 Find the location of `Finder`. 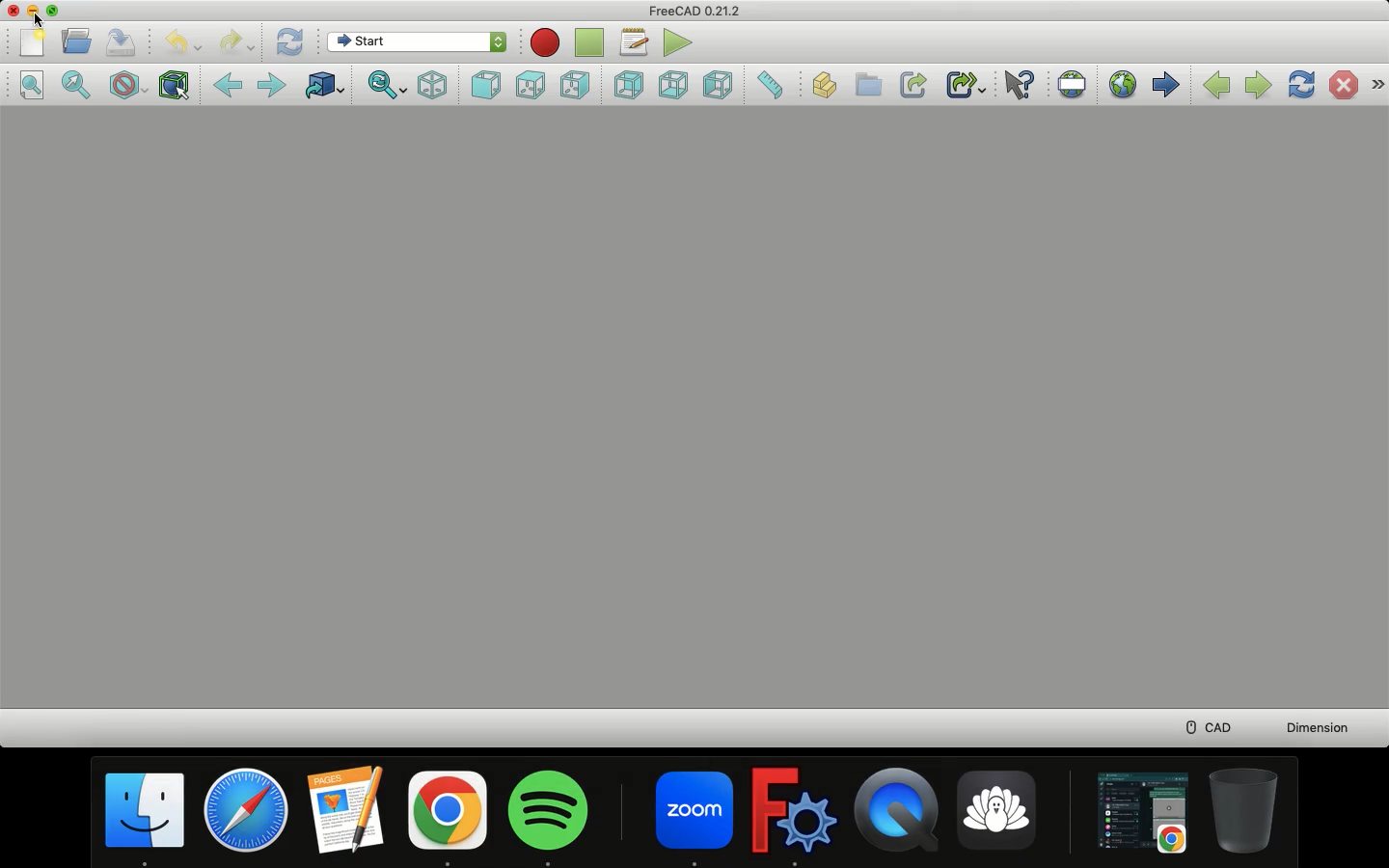

Finder is located at coordinates (147, 819).